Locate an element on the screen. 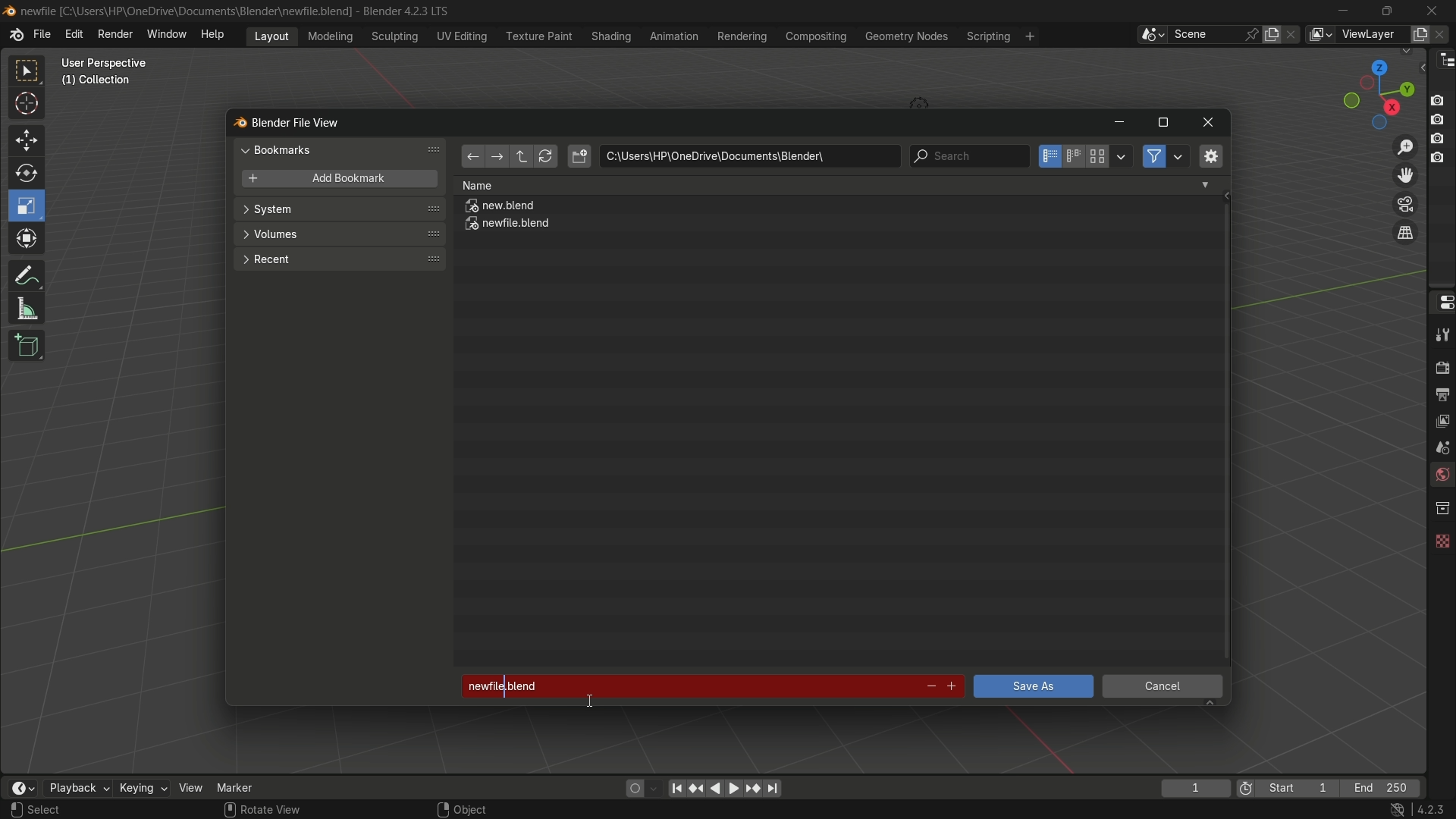 The height and width of the screenshot is (819, 1456). C:\User:\\HP\Onedrive\Documents\Blender is located at coordinates (187, 11).